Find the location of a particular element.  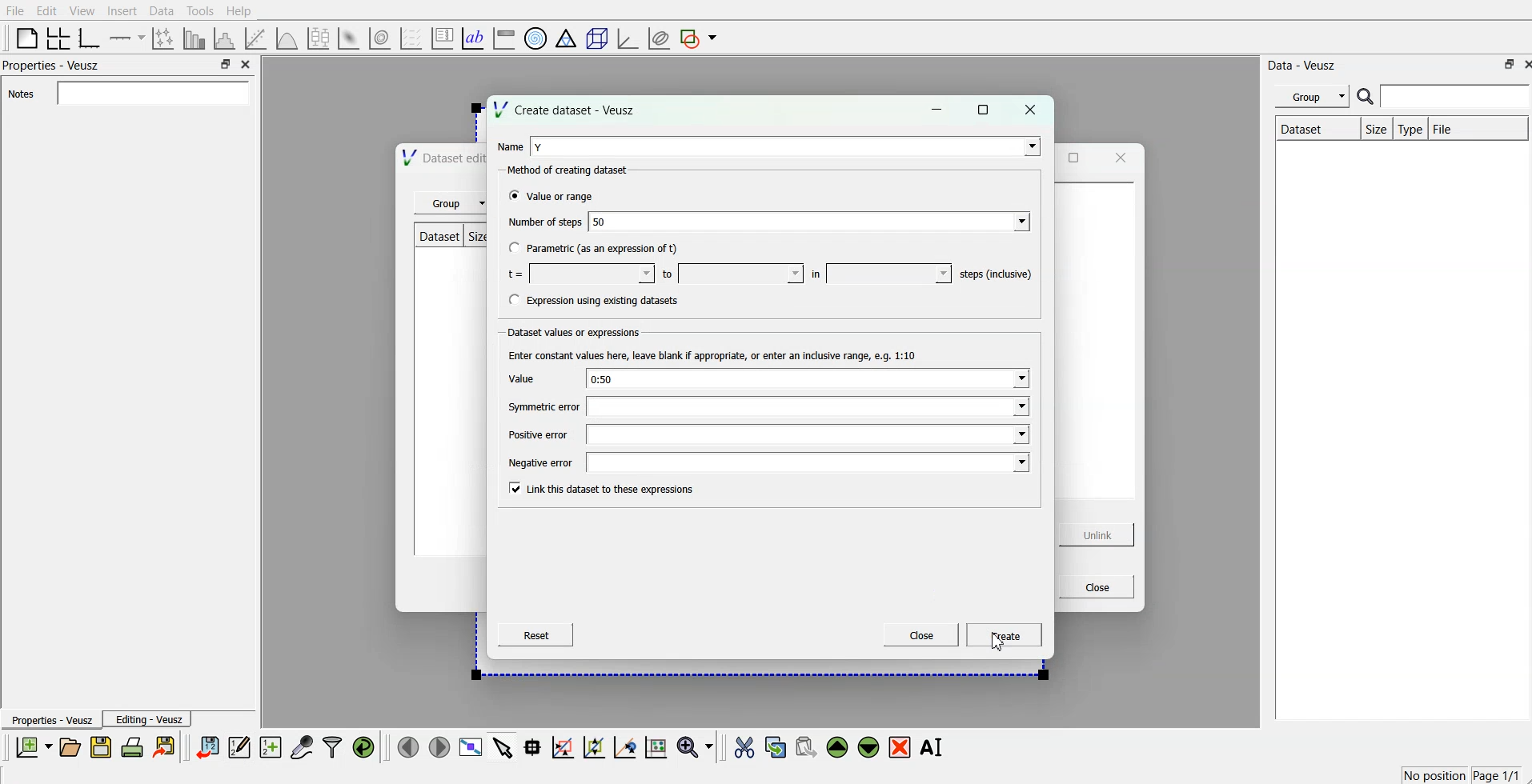

close is located at coordinates (1033, 110).